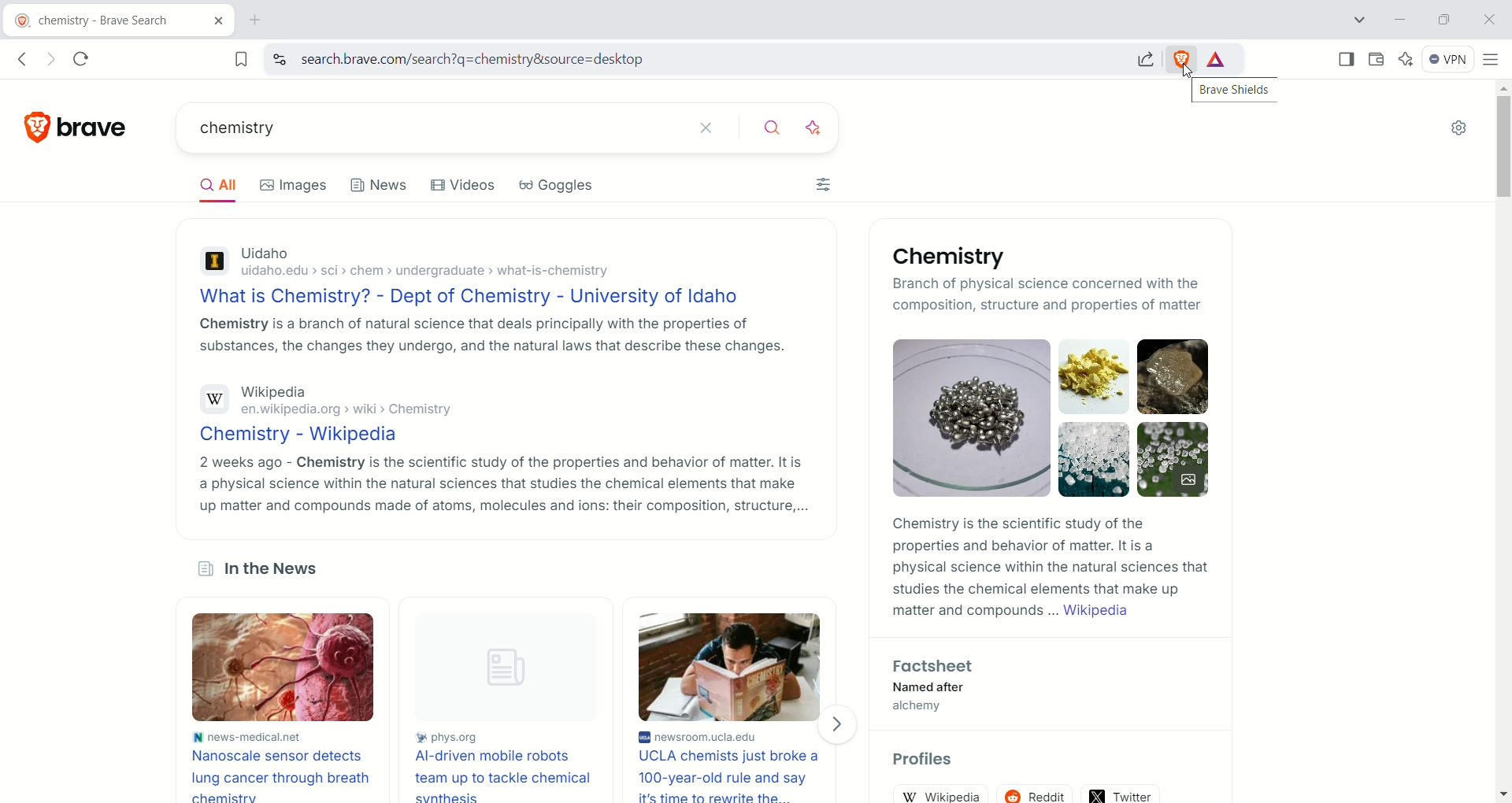 This screenshot has height=803, width=1512. What do you see at coordinates (821, 128) in the screenshot?
I see `leo AI` at bounding box center [821, 128].